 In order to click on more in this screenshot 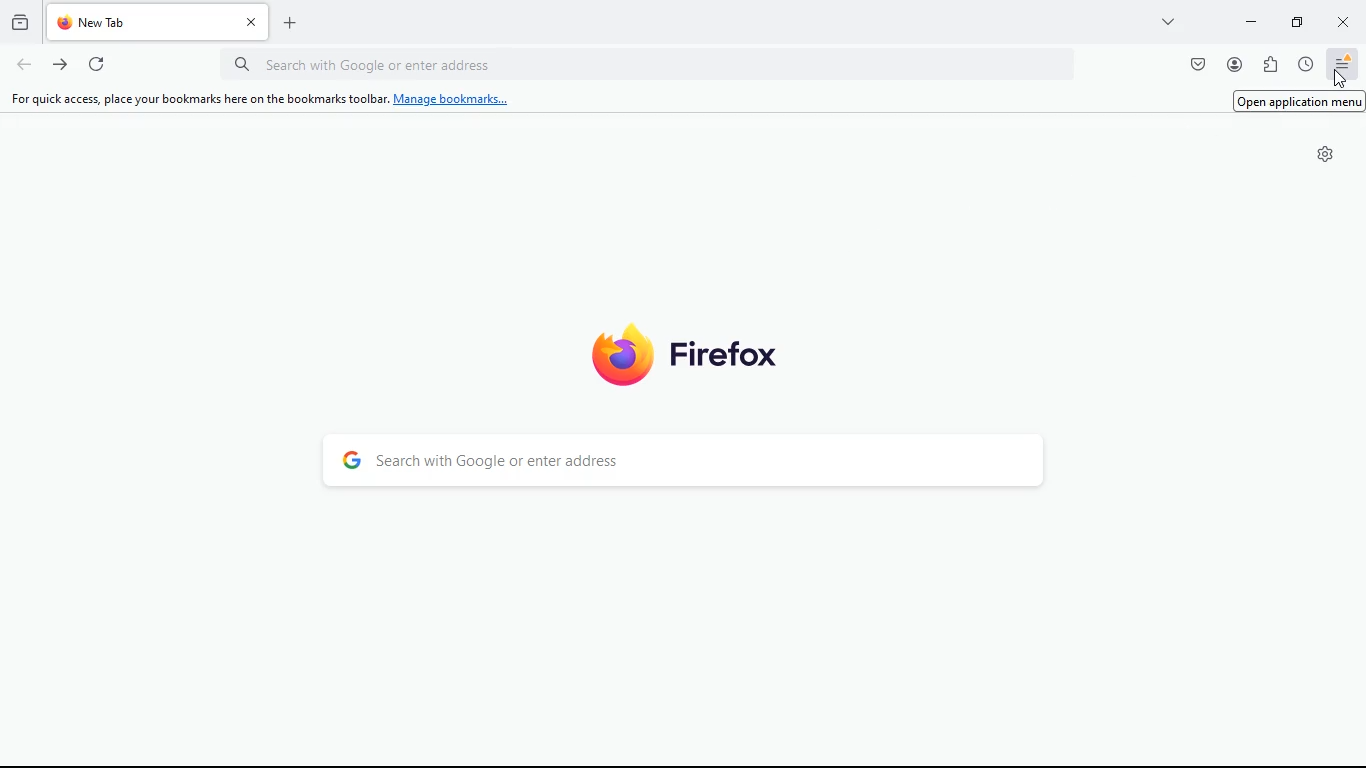, I will do `click(1170, 21)`.